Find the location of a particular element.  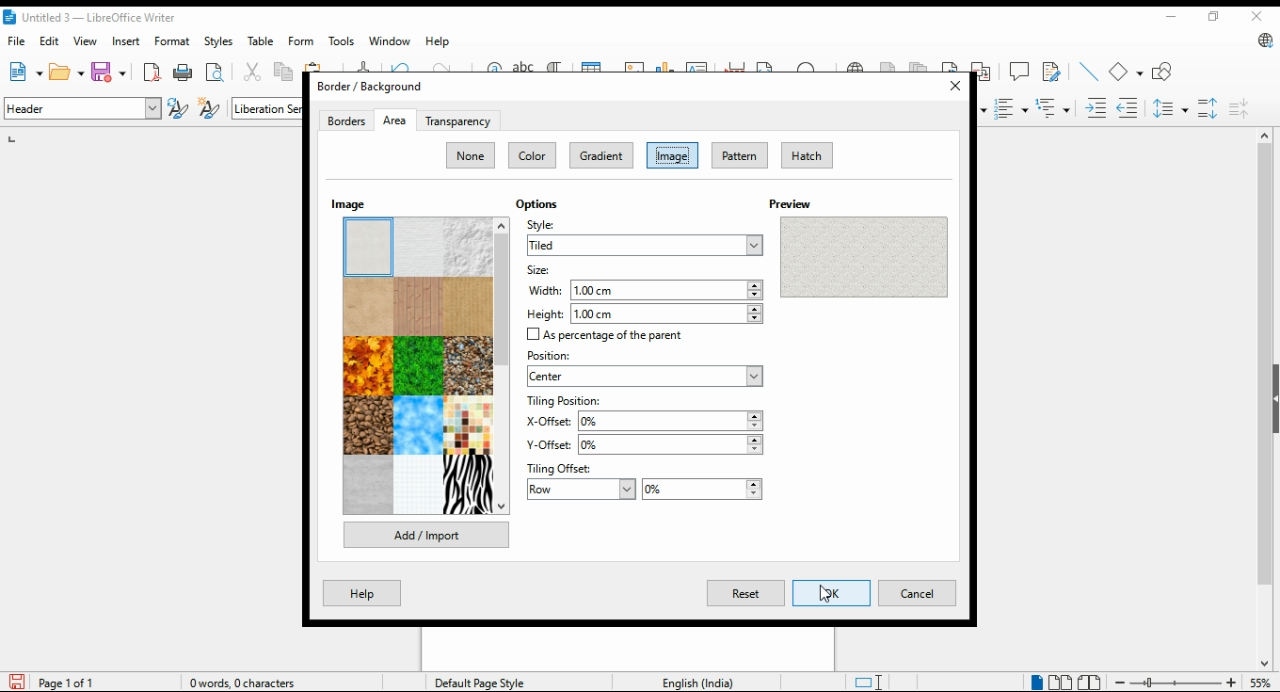

insert textbox is located at coordinates (698, 65).